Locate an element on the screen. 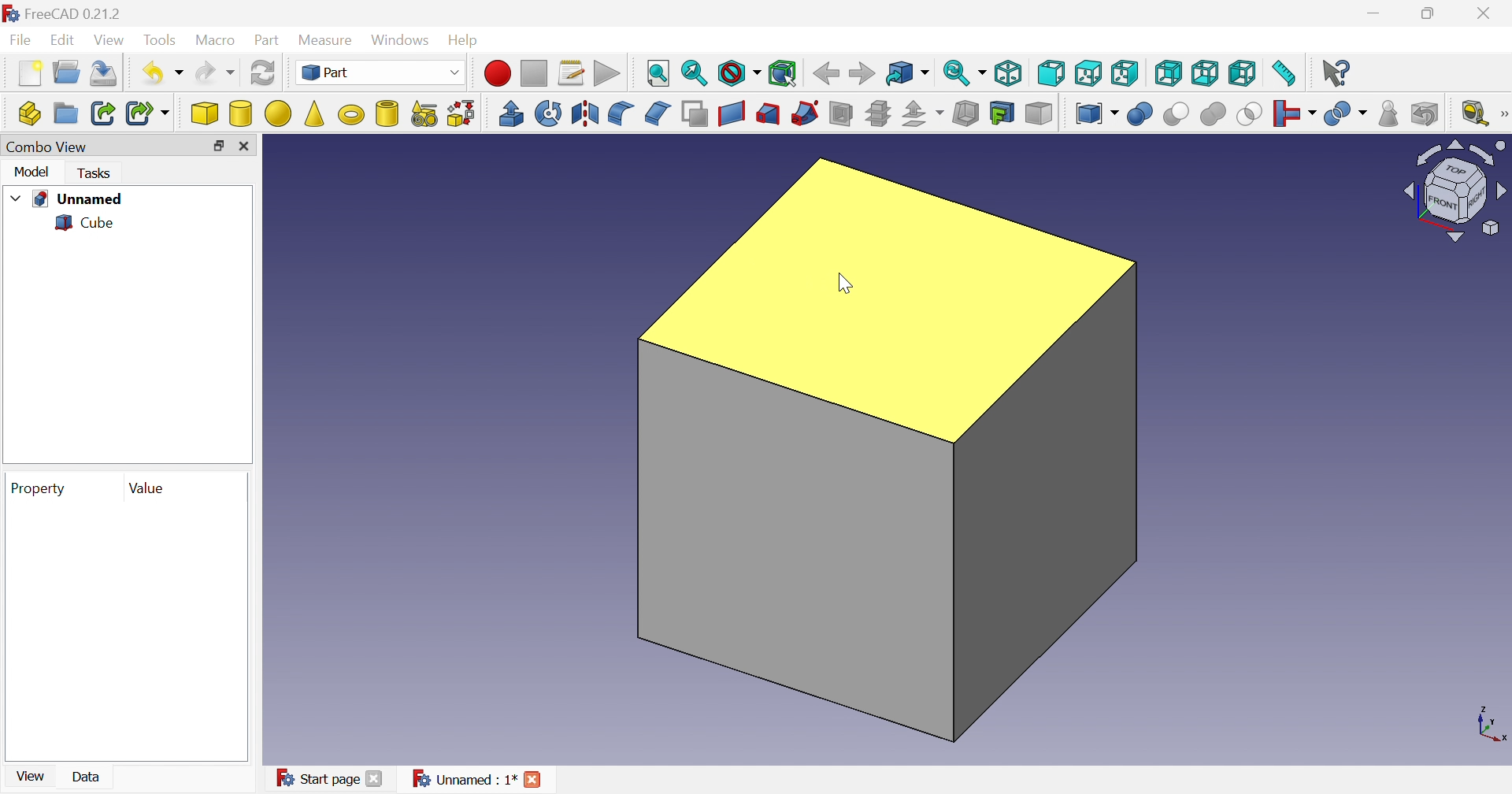  Unnamed : 1* is located at coordinates (463, 778).